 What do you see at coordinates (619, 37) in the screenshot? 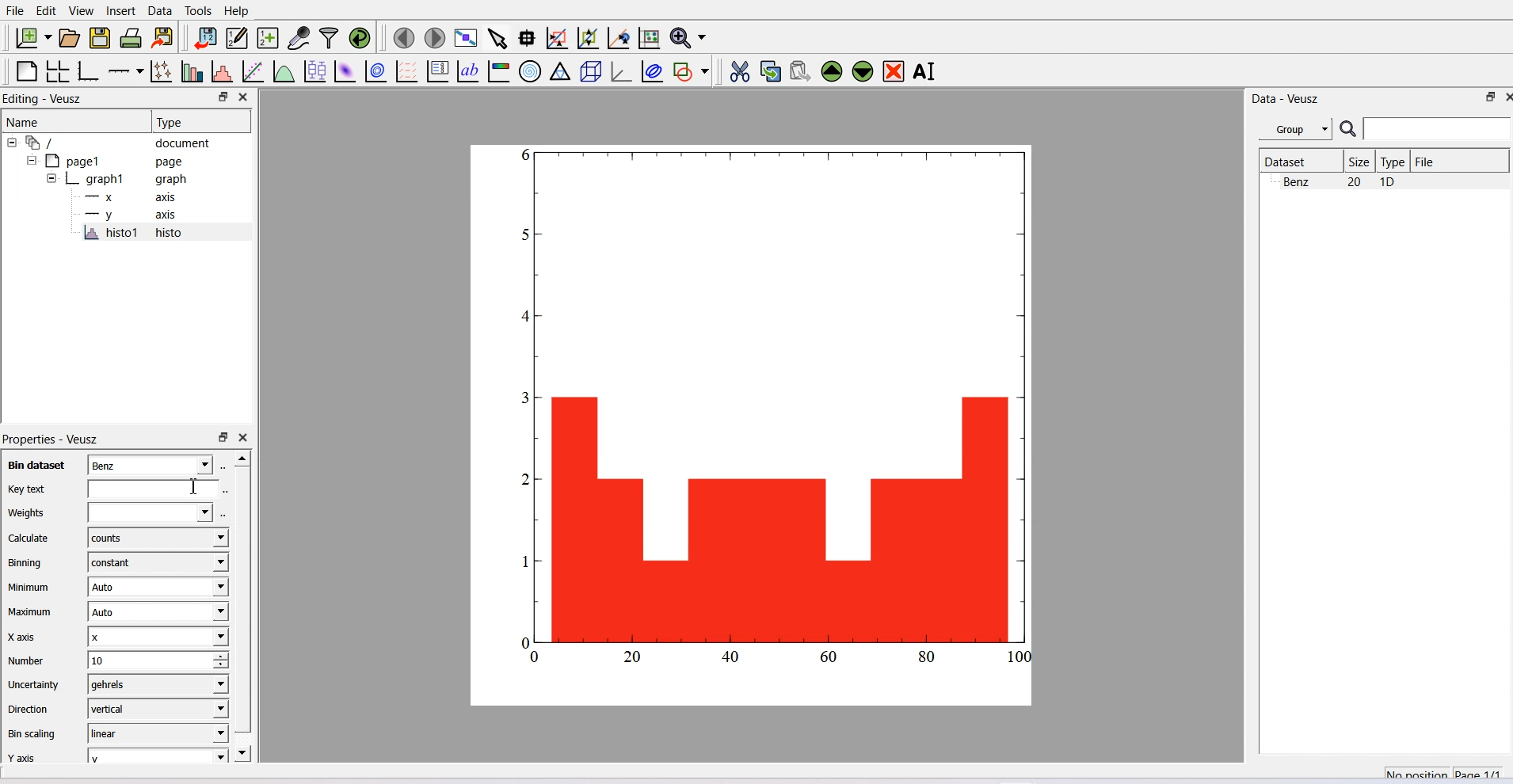
I see `Recenter graph axes` at bounding box center [619, 37].